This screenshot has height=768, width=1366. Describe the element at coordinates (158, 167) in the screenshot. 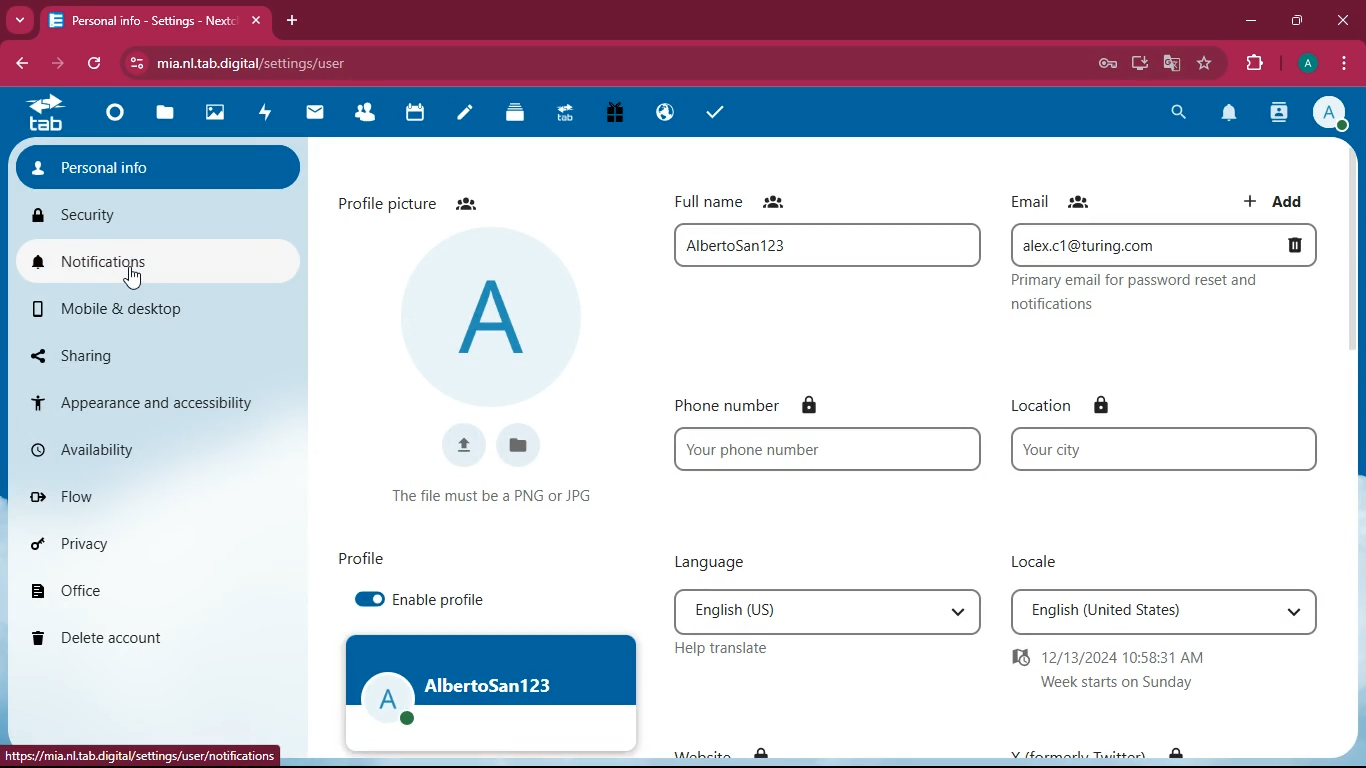

I see `personal` at that location.